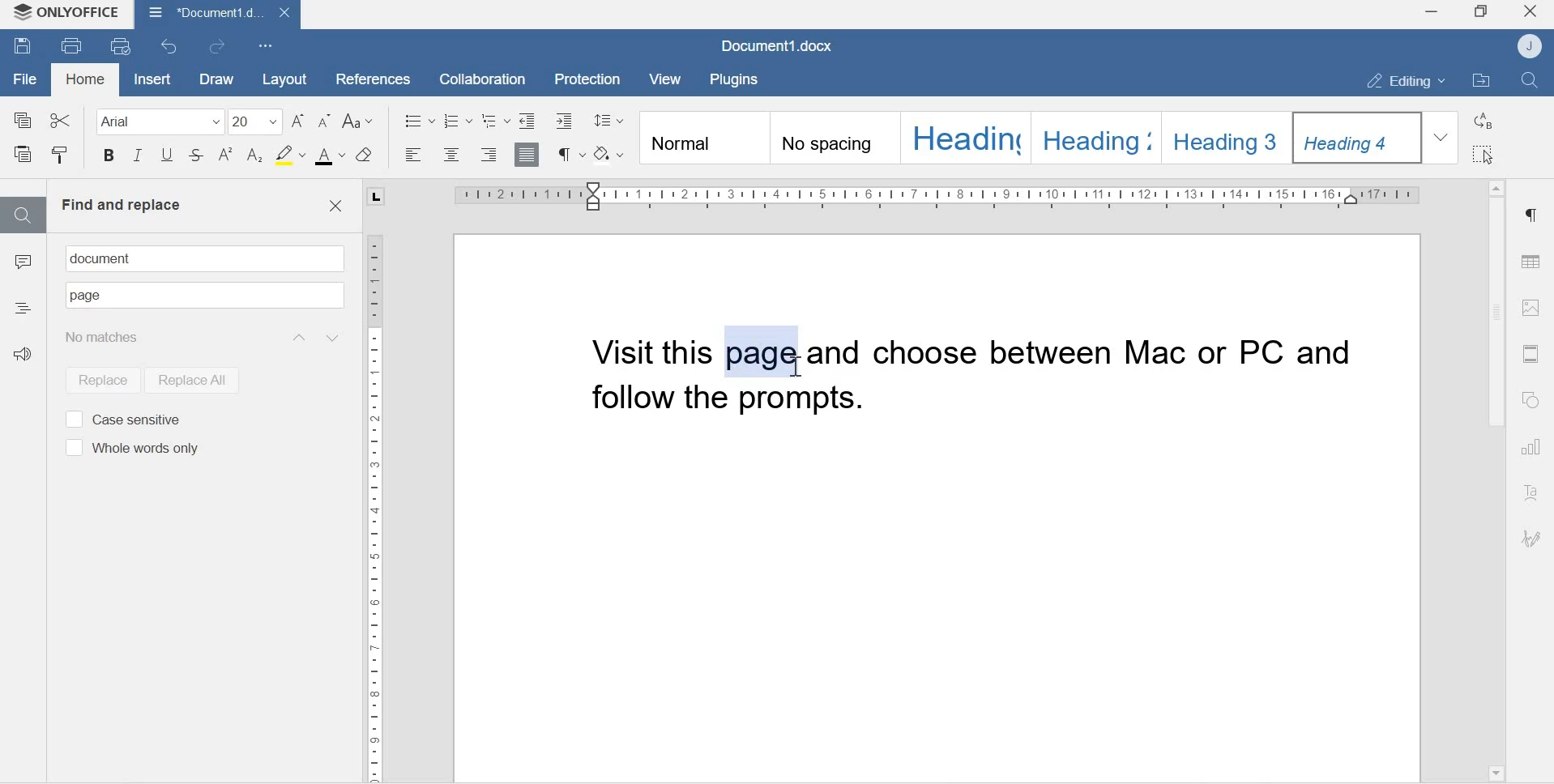 The width and height of the screenshot is (1554, 784). What do you see at coordinates (361, 121) in the screenshot?
I see `Change case` at bounding box center [361, 121].